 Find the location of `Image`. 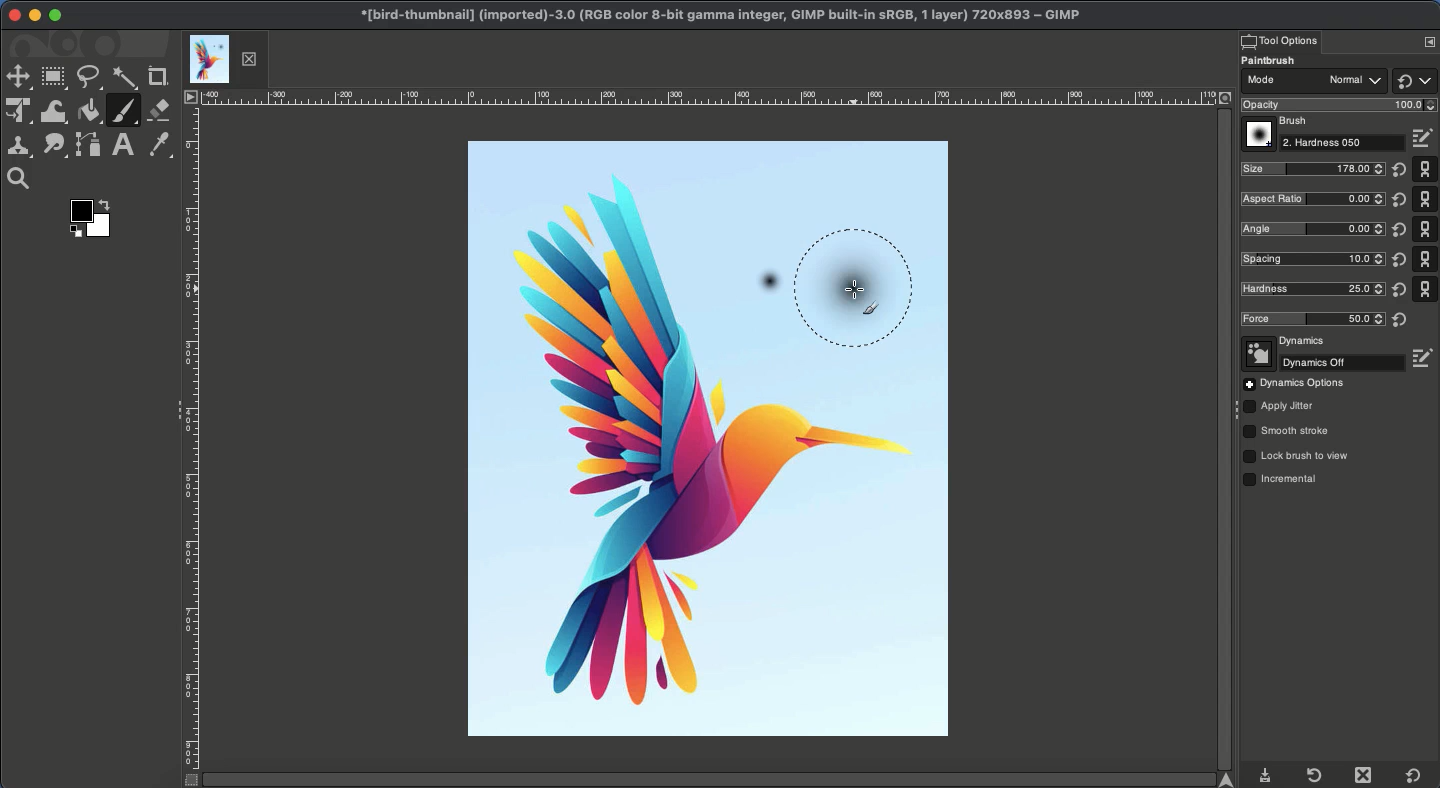

Image is located at coordinates (712, 547).